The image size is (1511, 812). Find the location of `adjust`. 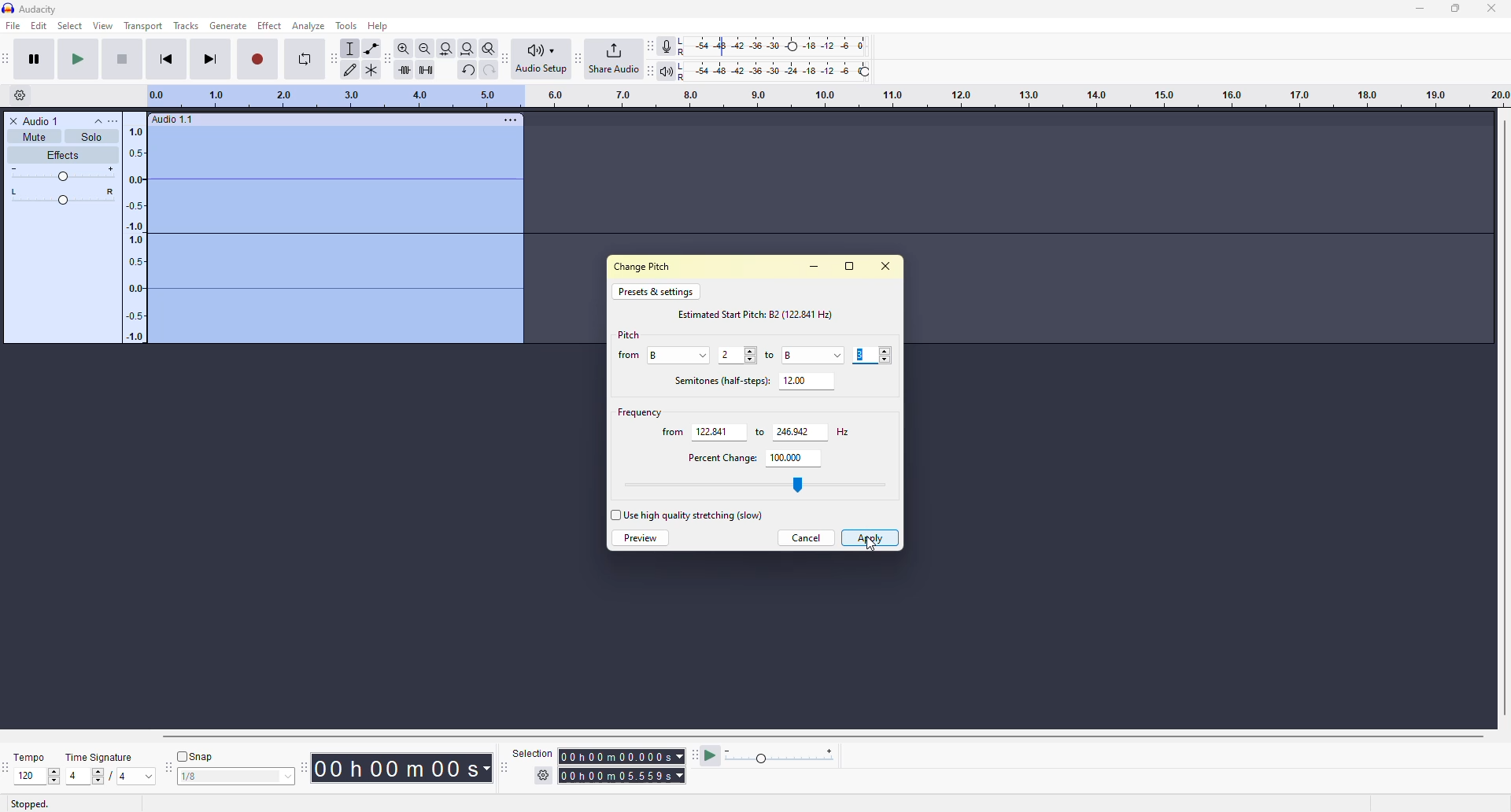

adjust is located at coordinates (65, 197).